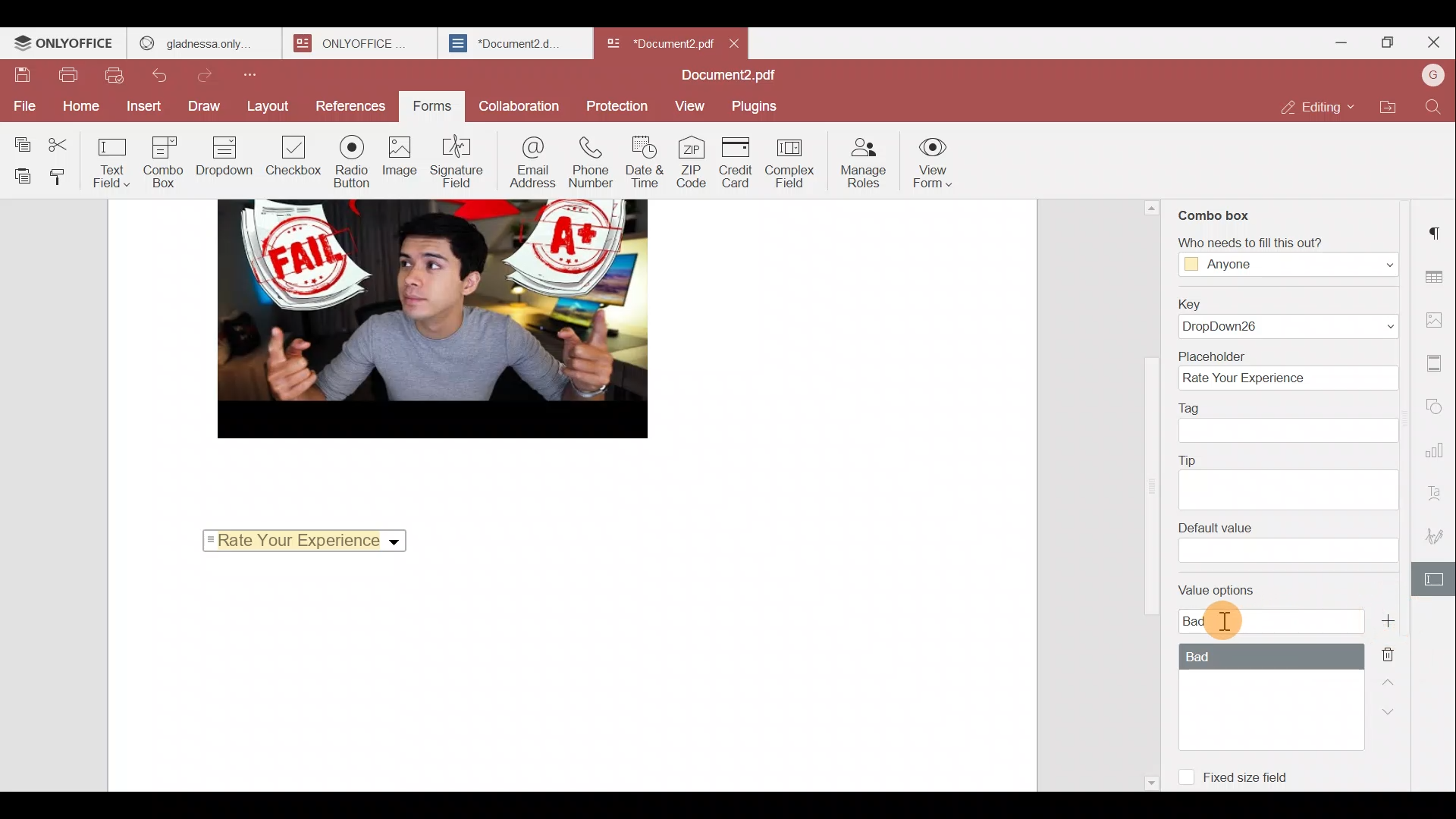 This screenshot has width=1456, height=819. I want to click on Close, so click(1433, 42).